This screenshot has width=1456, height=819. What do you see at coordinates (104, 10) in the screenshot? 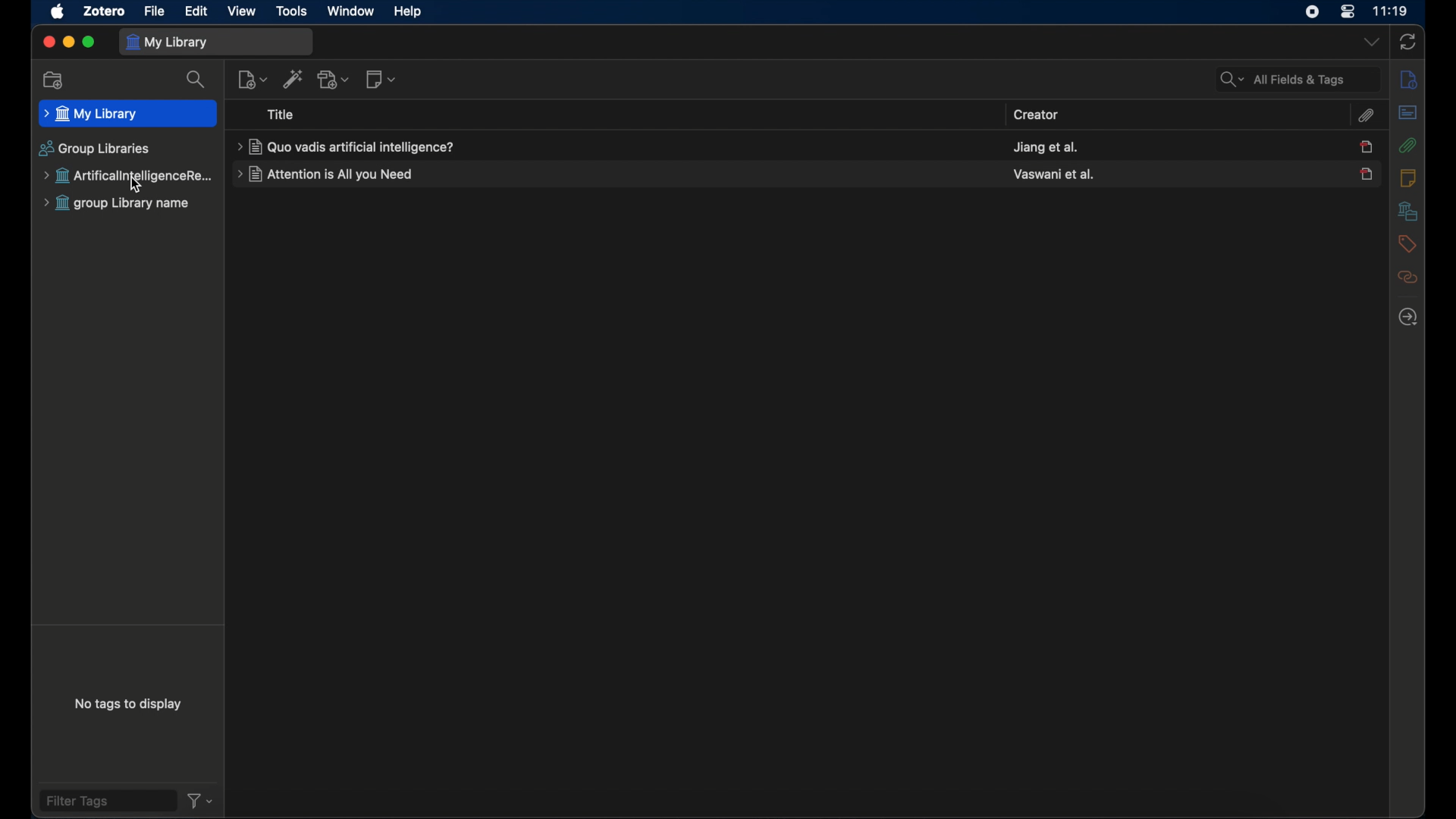
I see `zotero` at bounding box center [104, 10].